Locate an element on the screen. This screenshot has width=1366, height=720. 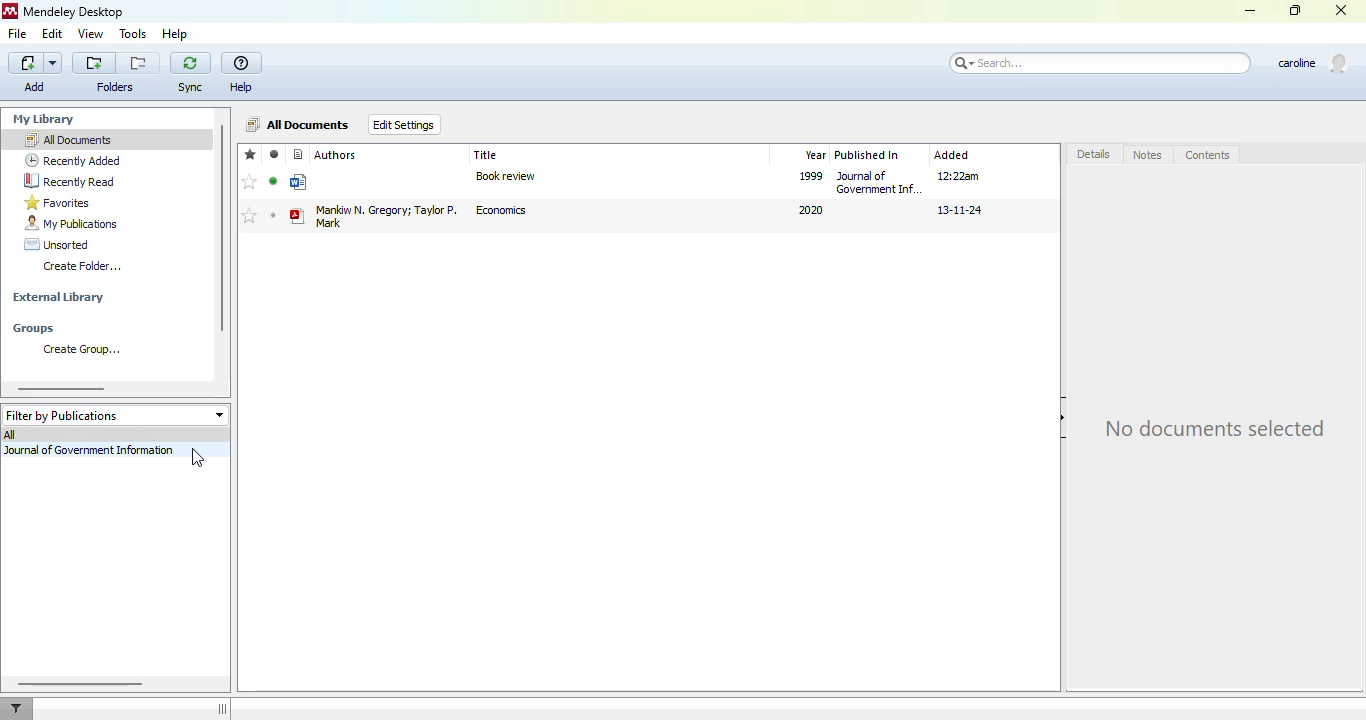
search is located at coordinates (1099, 64).